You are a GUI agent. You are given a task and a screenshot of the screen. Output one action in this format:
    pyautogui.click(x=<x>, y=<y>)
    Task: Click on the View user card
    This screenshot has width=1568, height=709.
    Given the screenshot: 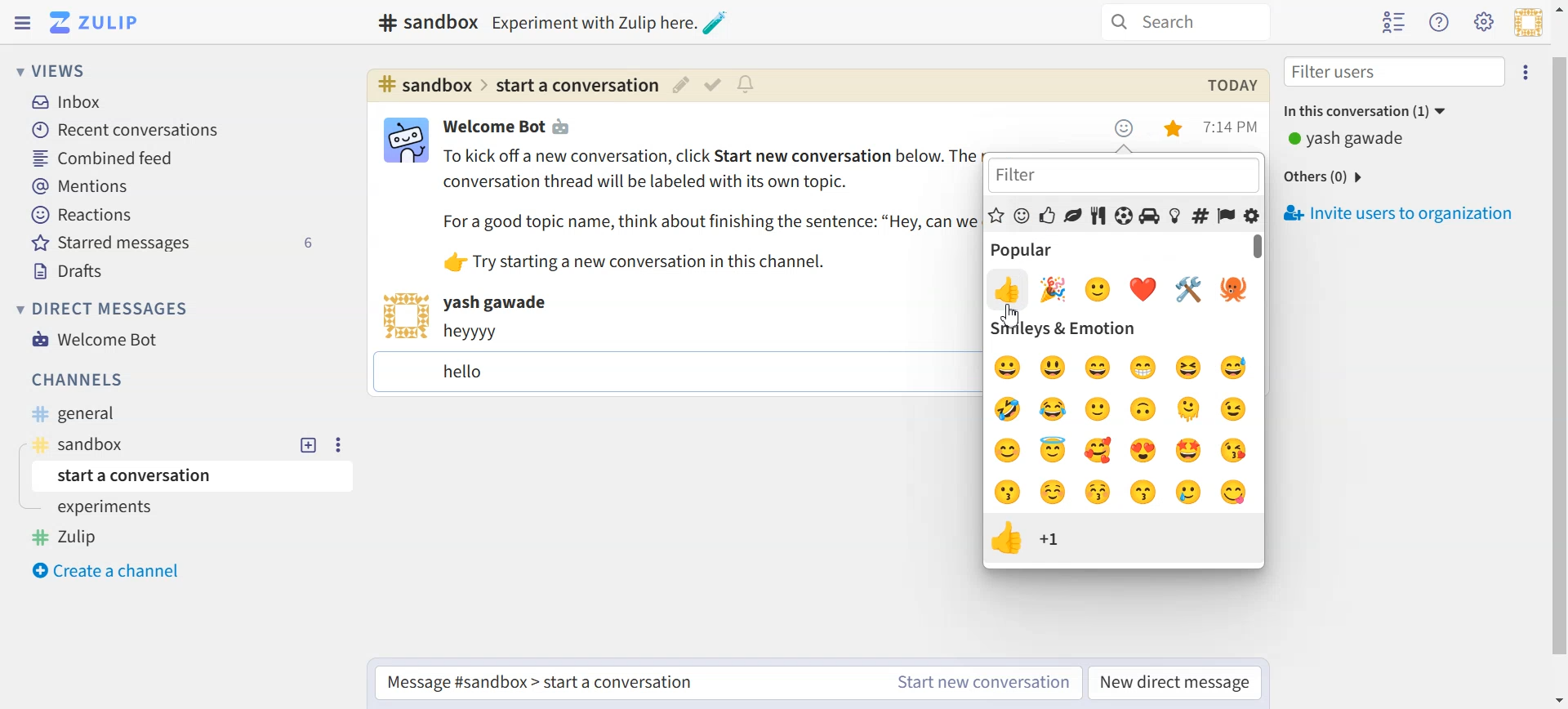 What is the action you would take?
    pyautogui.click(x=404, y=315)
    